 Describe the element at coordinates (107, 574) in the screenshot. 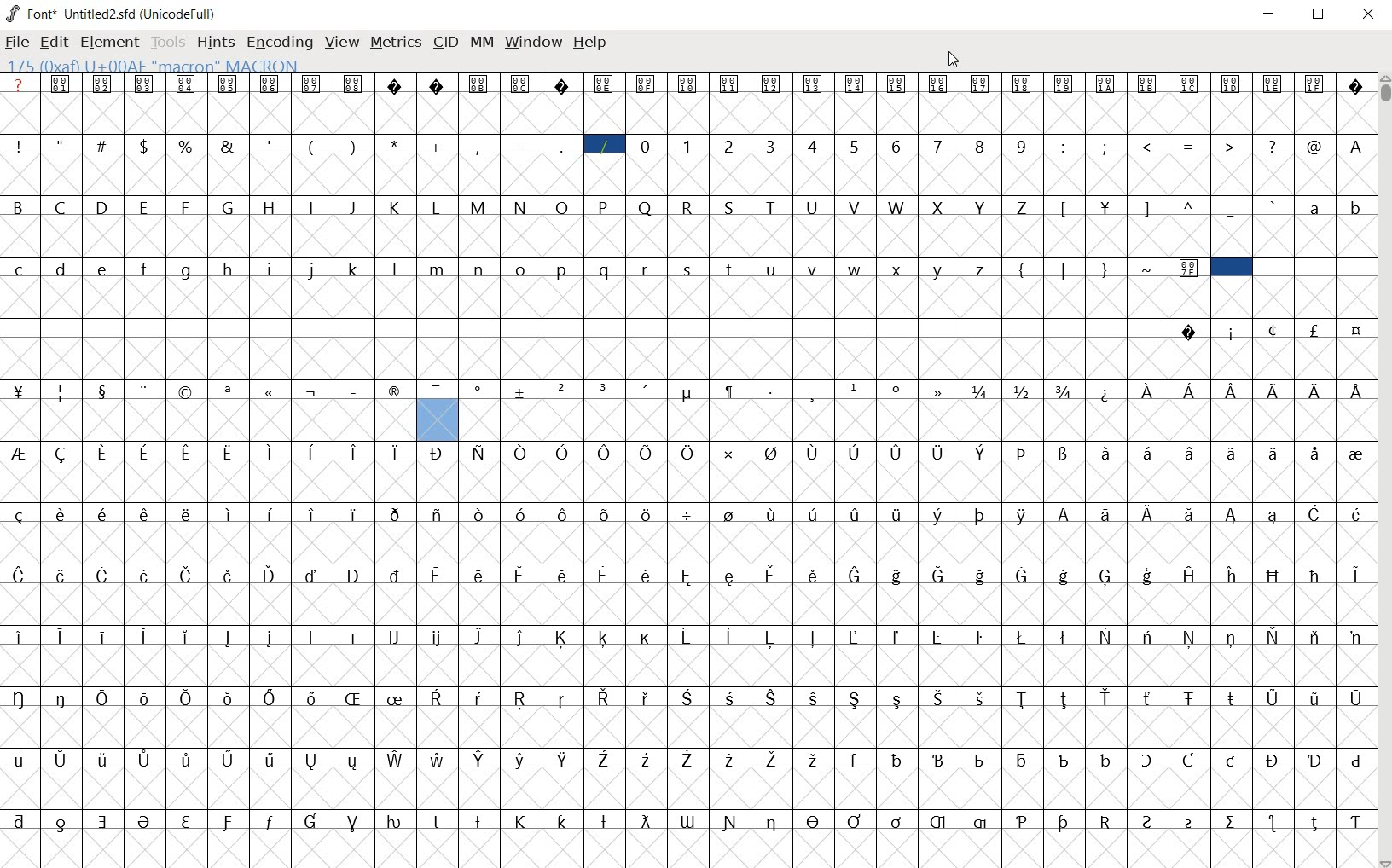

I see `Symbol` at that location.